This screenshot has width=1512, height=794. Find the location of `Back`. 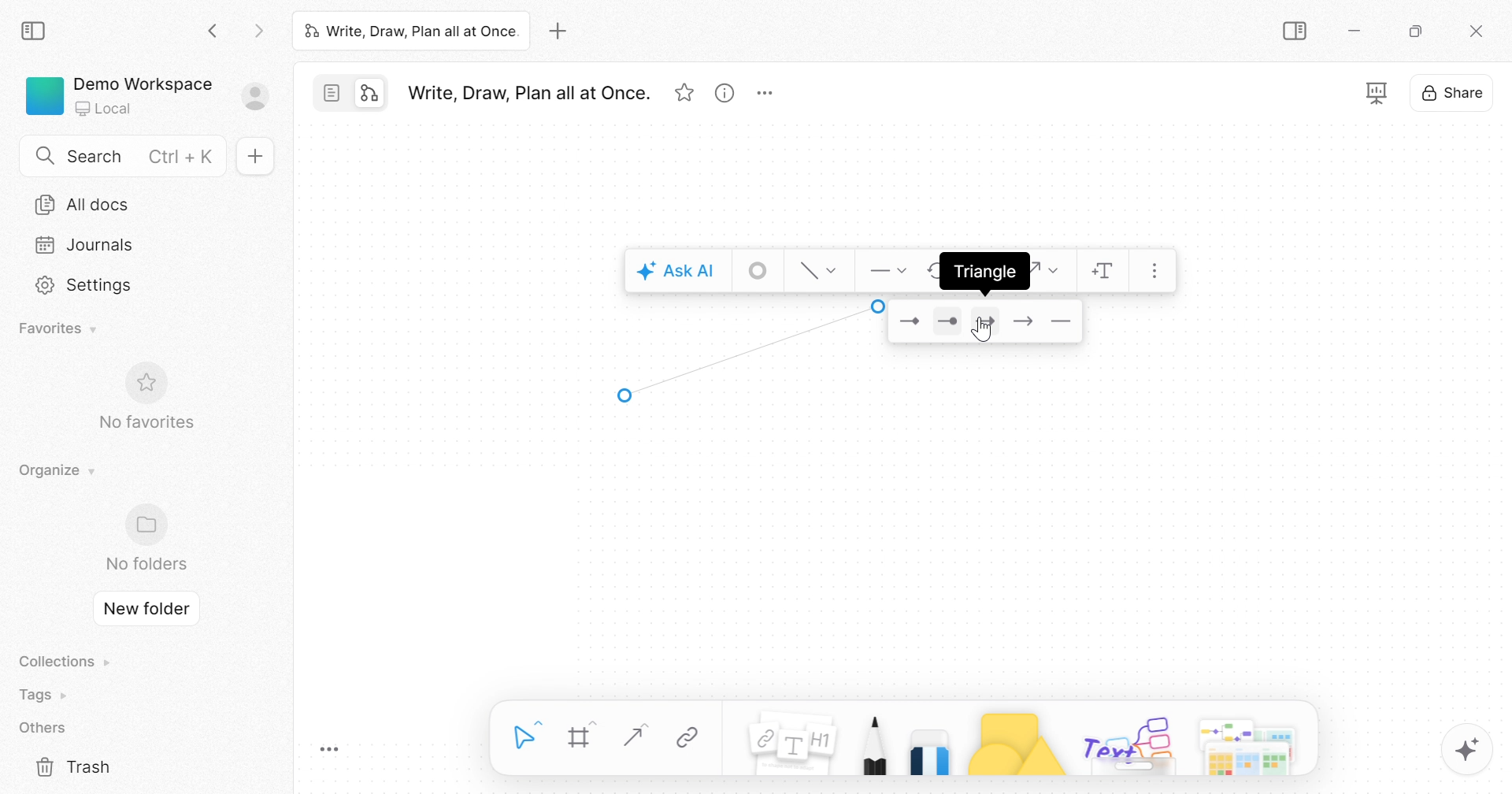

Back is located at coordinates (213, 33).